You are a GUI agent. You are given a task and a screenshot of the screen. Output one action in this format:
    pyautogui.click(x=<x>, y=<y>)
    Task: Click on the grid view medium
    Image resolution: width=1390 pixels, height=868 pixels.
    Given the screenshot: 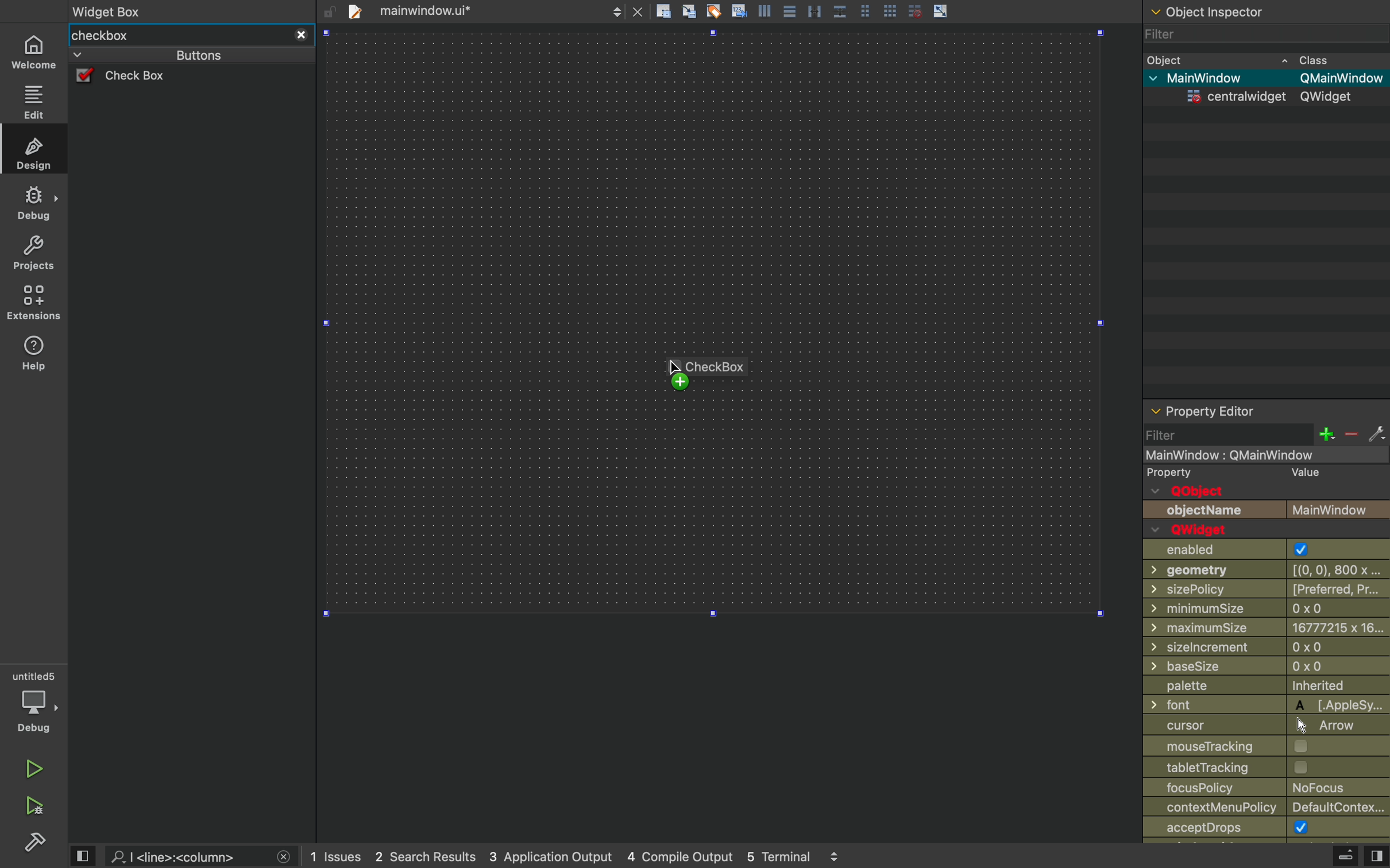 What is the action you would take?
    pyautogui.click(x=864, y=10)
    